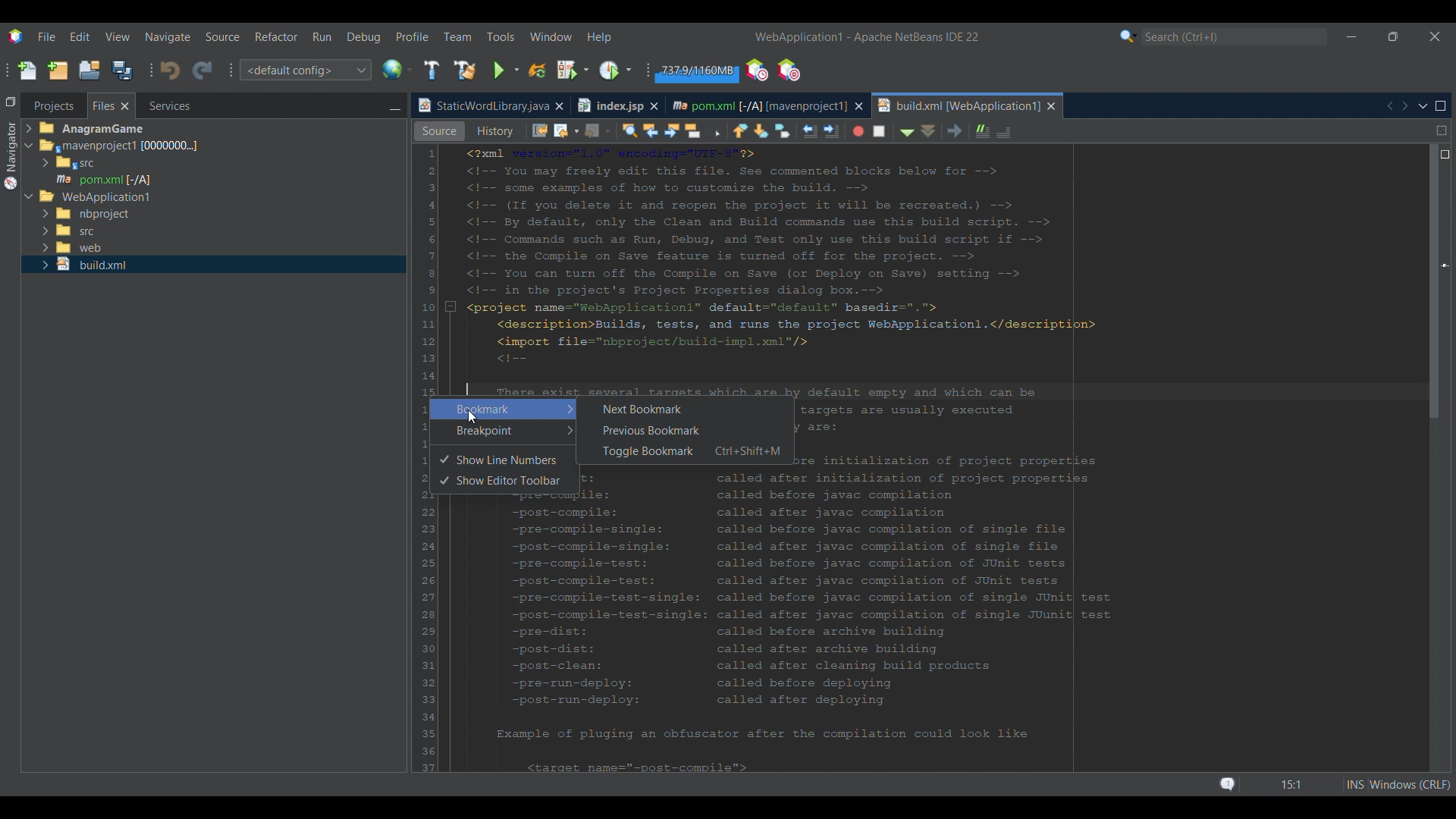  What do you see at coordinates (275, 36) in the screenshot?
I see `Refactor menu` at bounding box center [275, 36].